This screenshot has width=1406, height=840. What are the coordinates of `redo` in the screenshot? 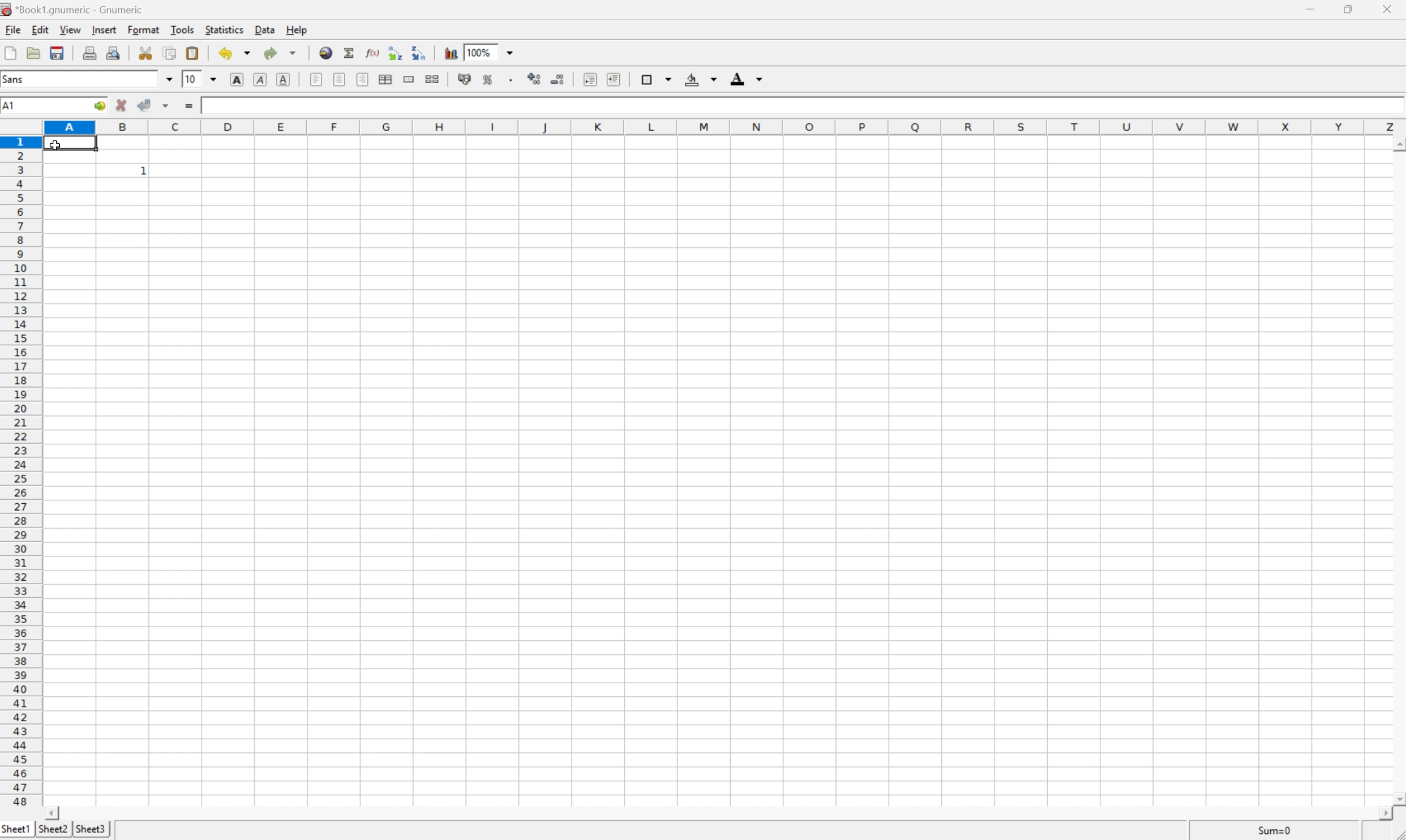 It's located at (281, 53).